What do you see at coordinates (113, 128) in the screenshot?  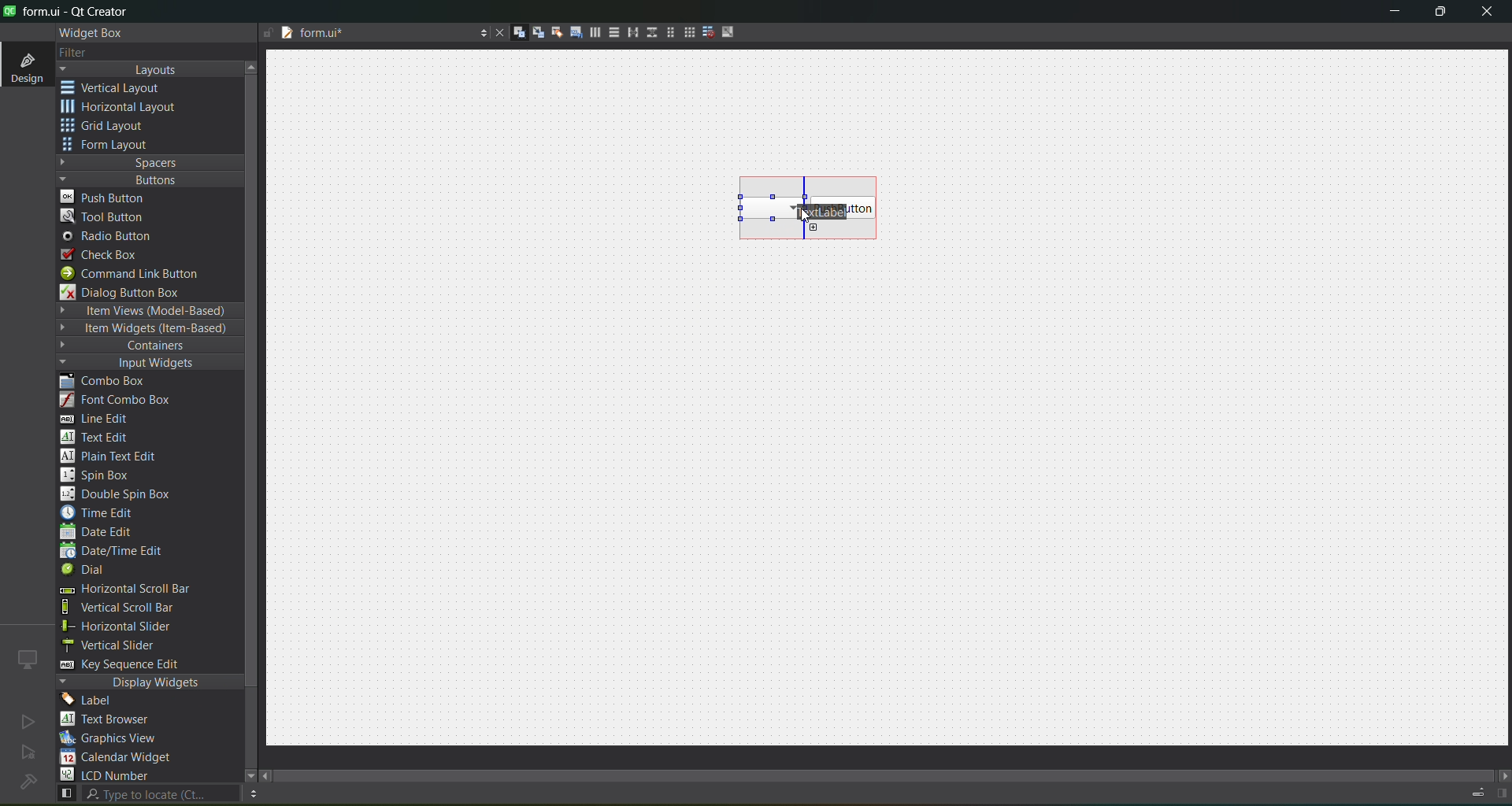 I see `grid` at bounding box center [113, 128].